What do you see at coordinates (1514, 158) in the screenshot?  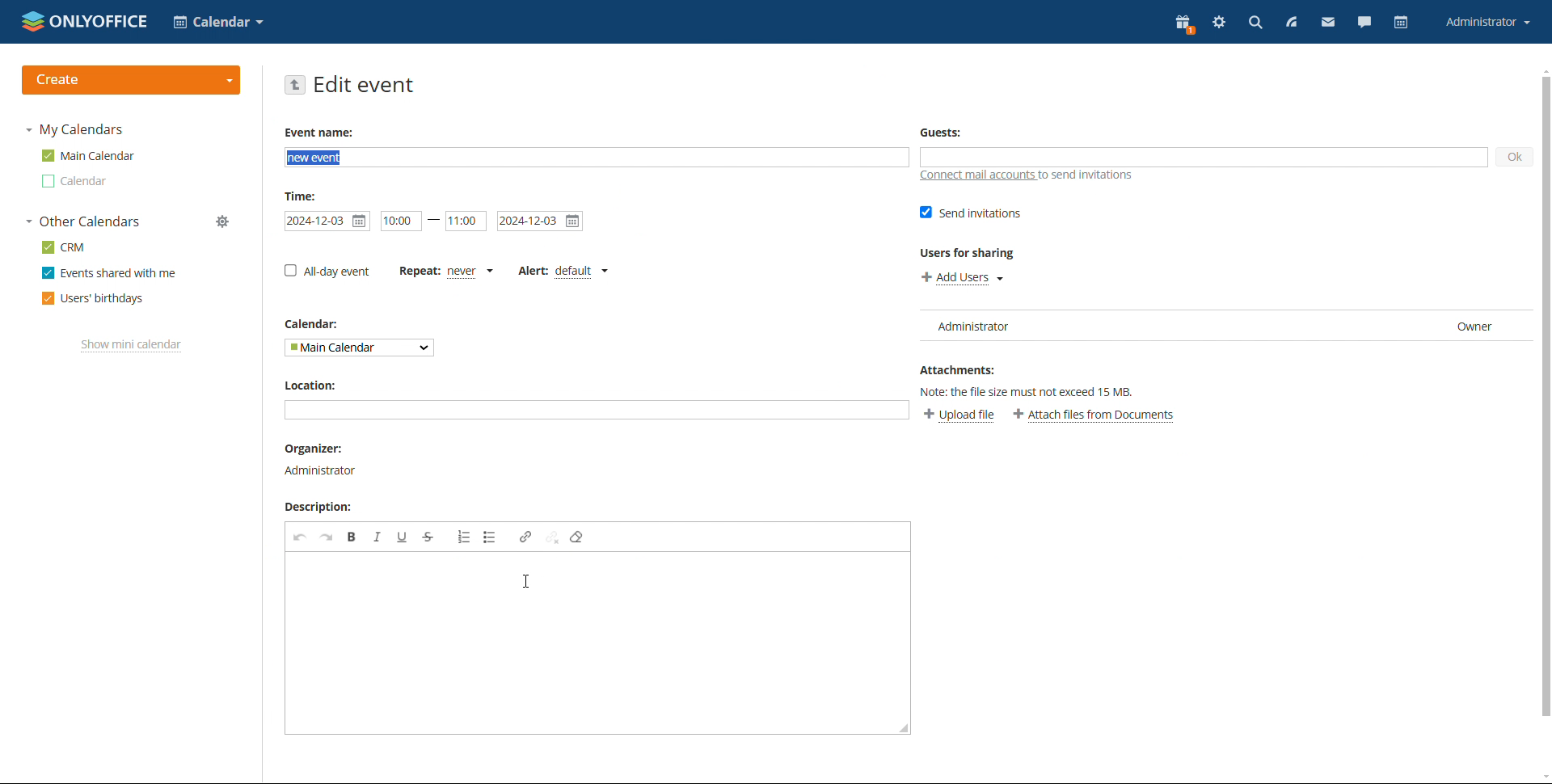 I see `ok` at bounding box center [1514, 158].